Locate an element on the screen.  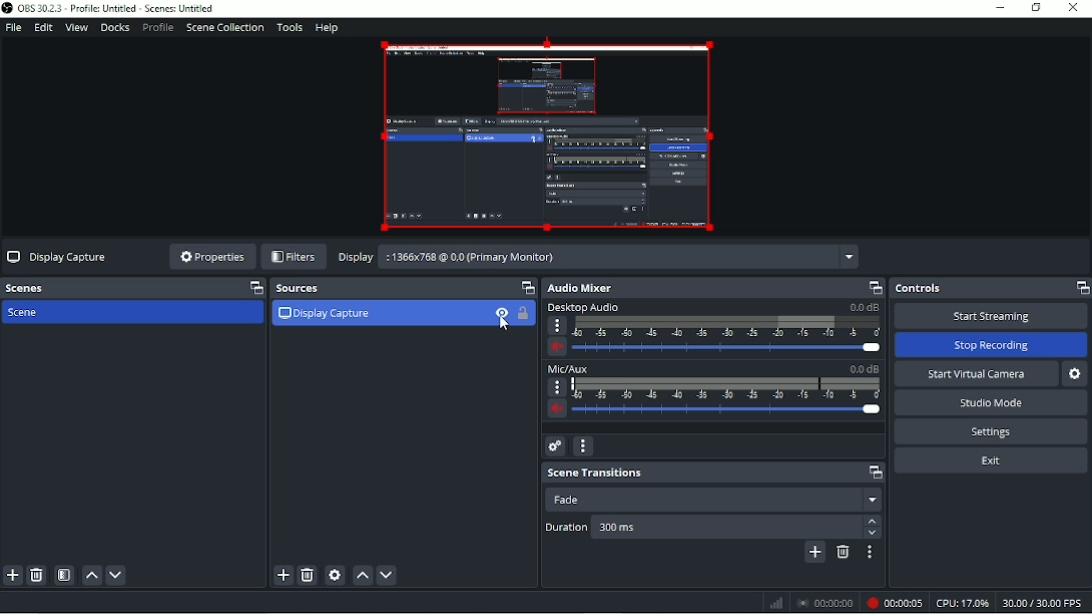
Stop recording is located at coordinates (825, 603).